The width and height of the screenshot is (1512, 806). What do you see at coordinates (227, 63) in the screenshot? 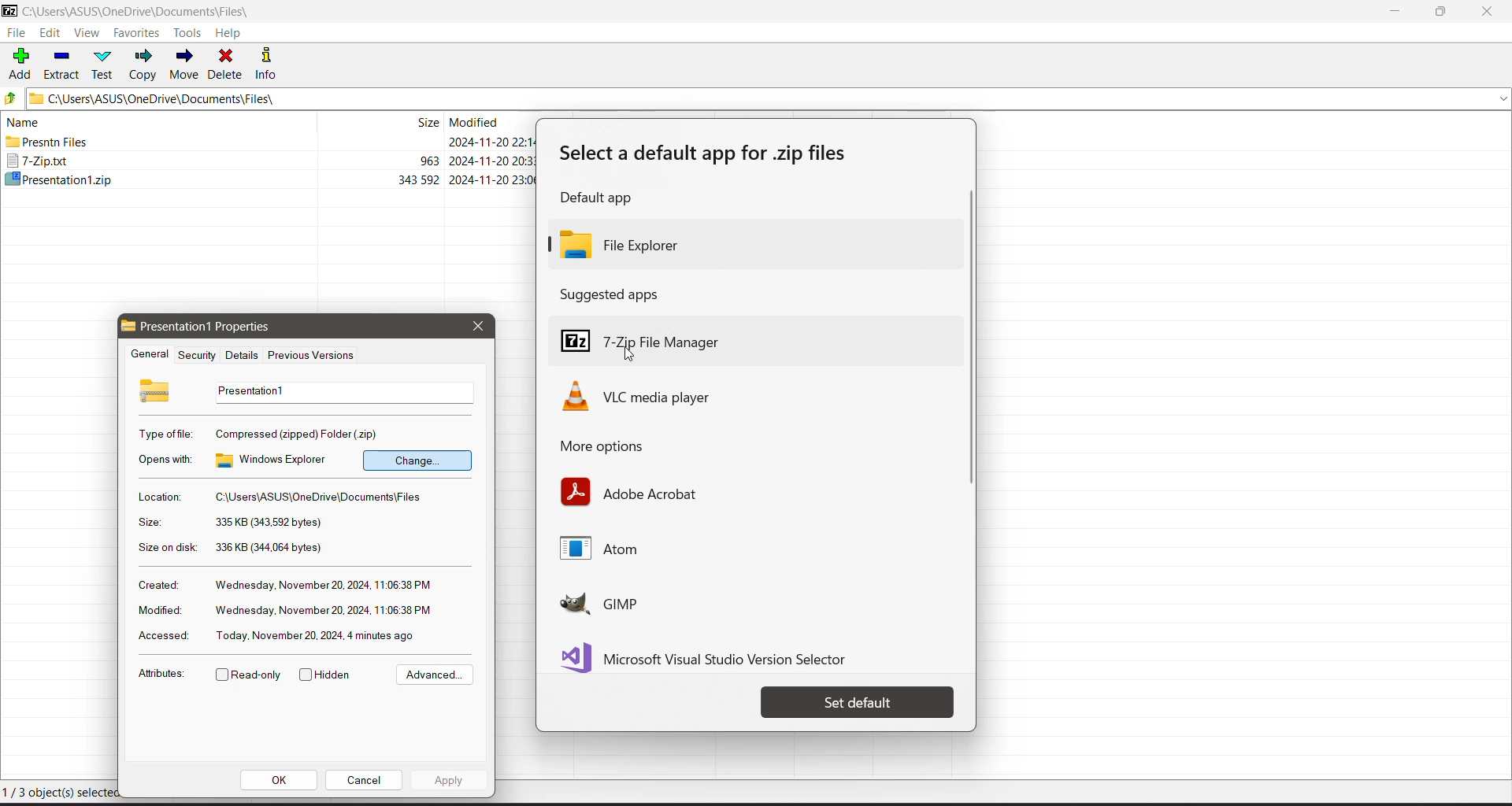
I see `Delete` at bounding box center [227, 63].